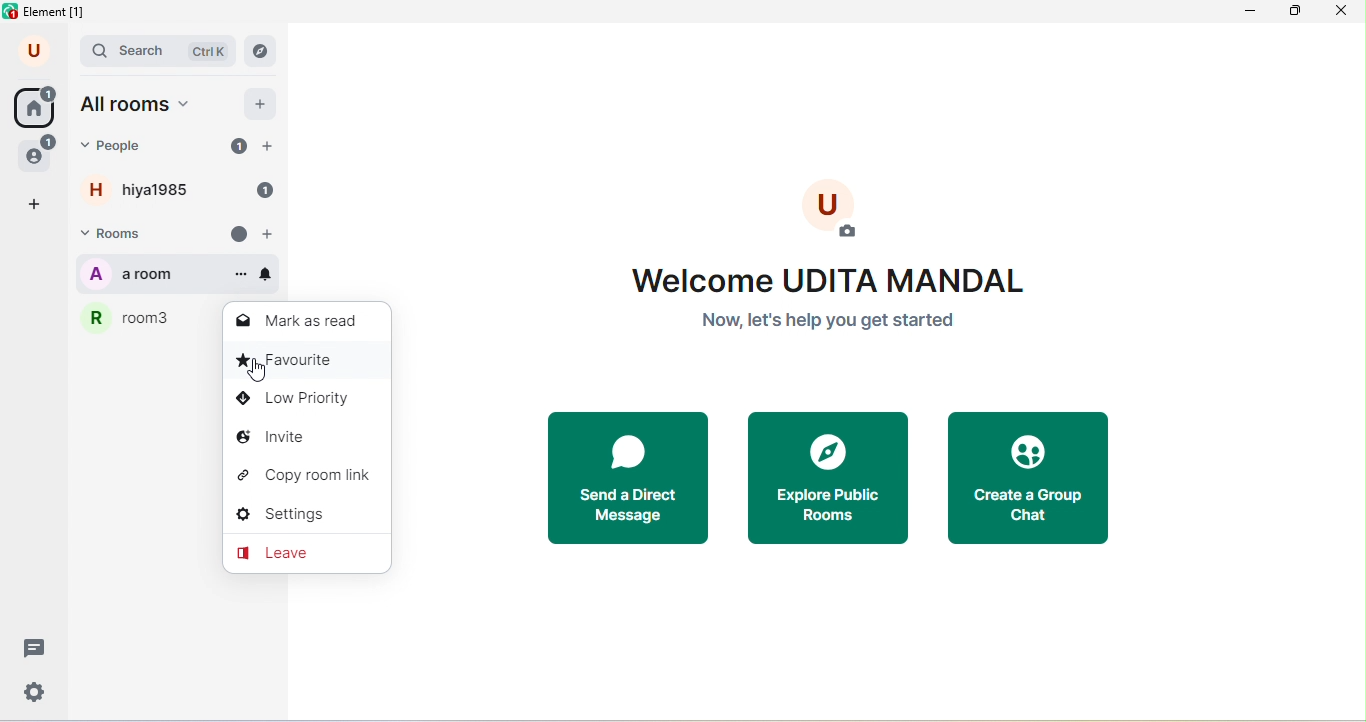 The width and height of the screenshot is (1366, 722). I want to click on favorite, so click(306, 363).